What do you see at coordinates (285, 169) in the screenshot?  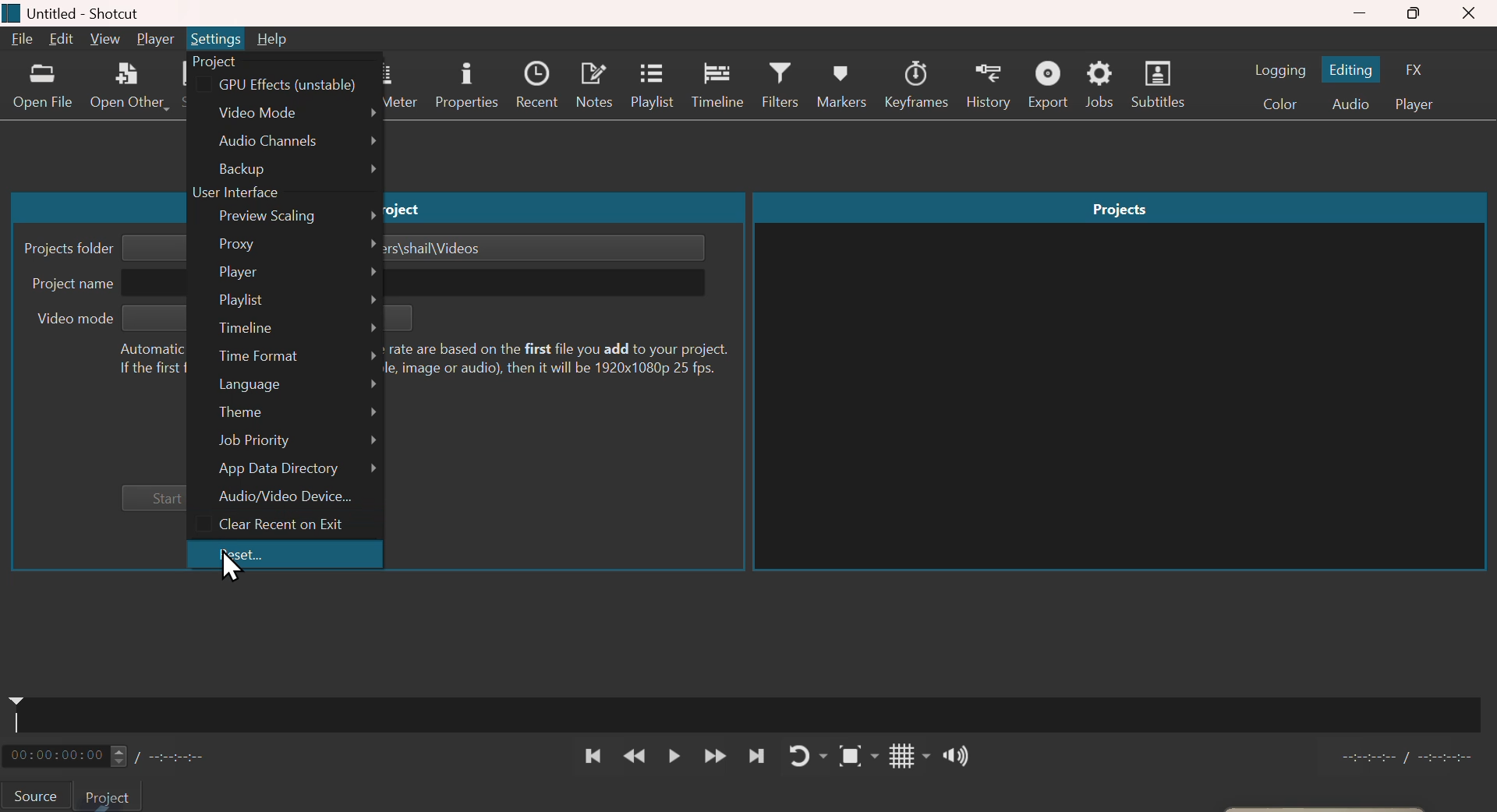 I see `Backup` at bounding box center [285, 169].